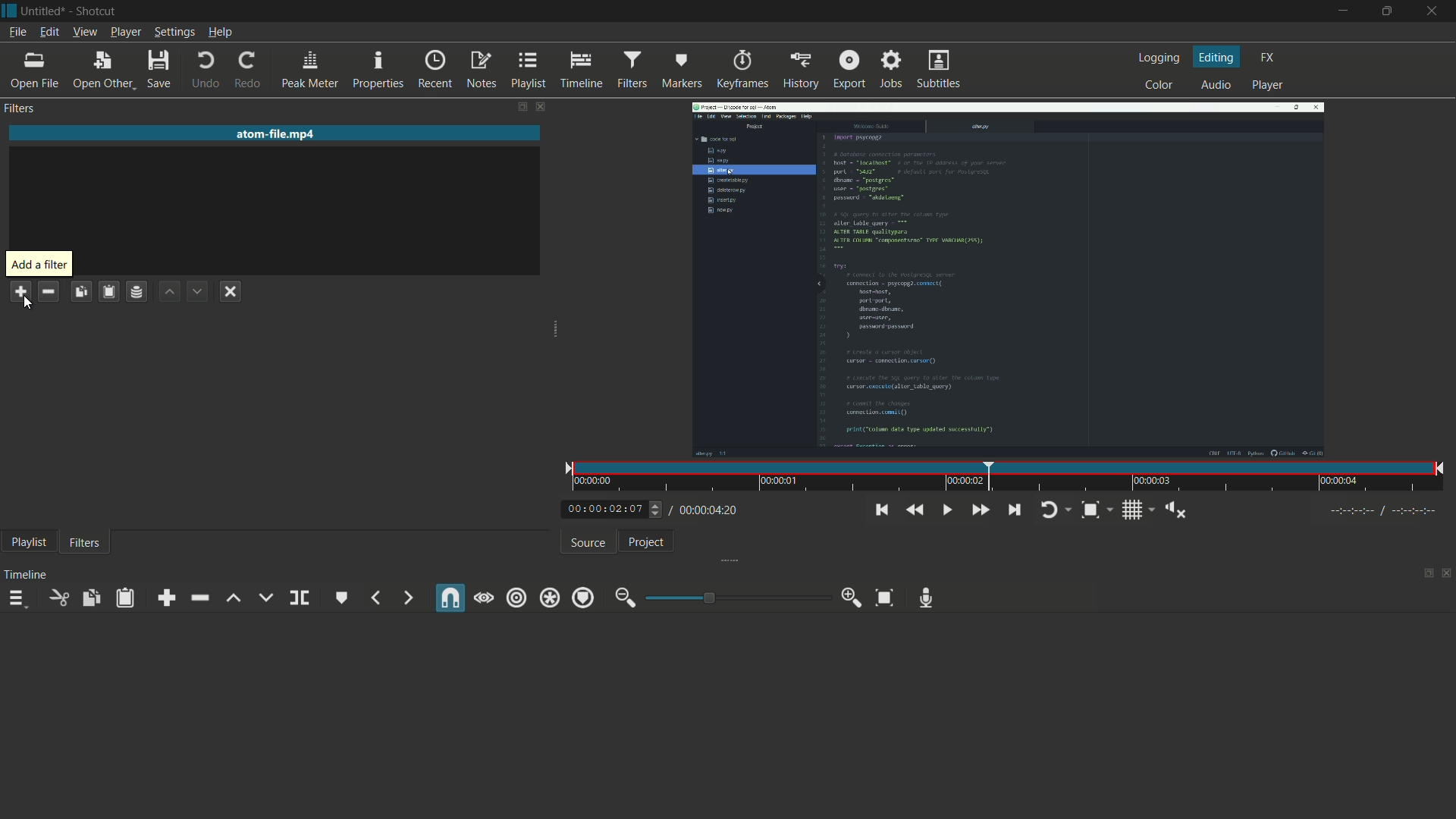  Describe the element at coordinates (28, 303) in the screenshot. I see `cursor` at that location.